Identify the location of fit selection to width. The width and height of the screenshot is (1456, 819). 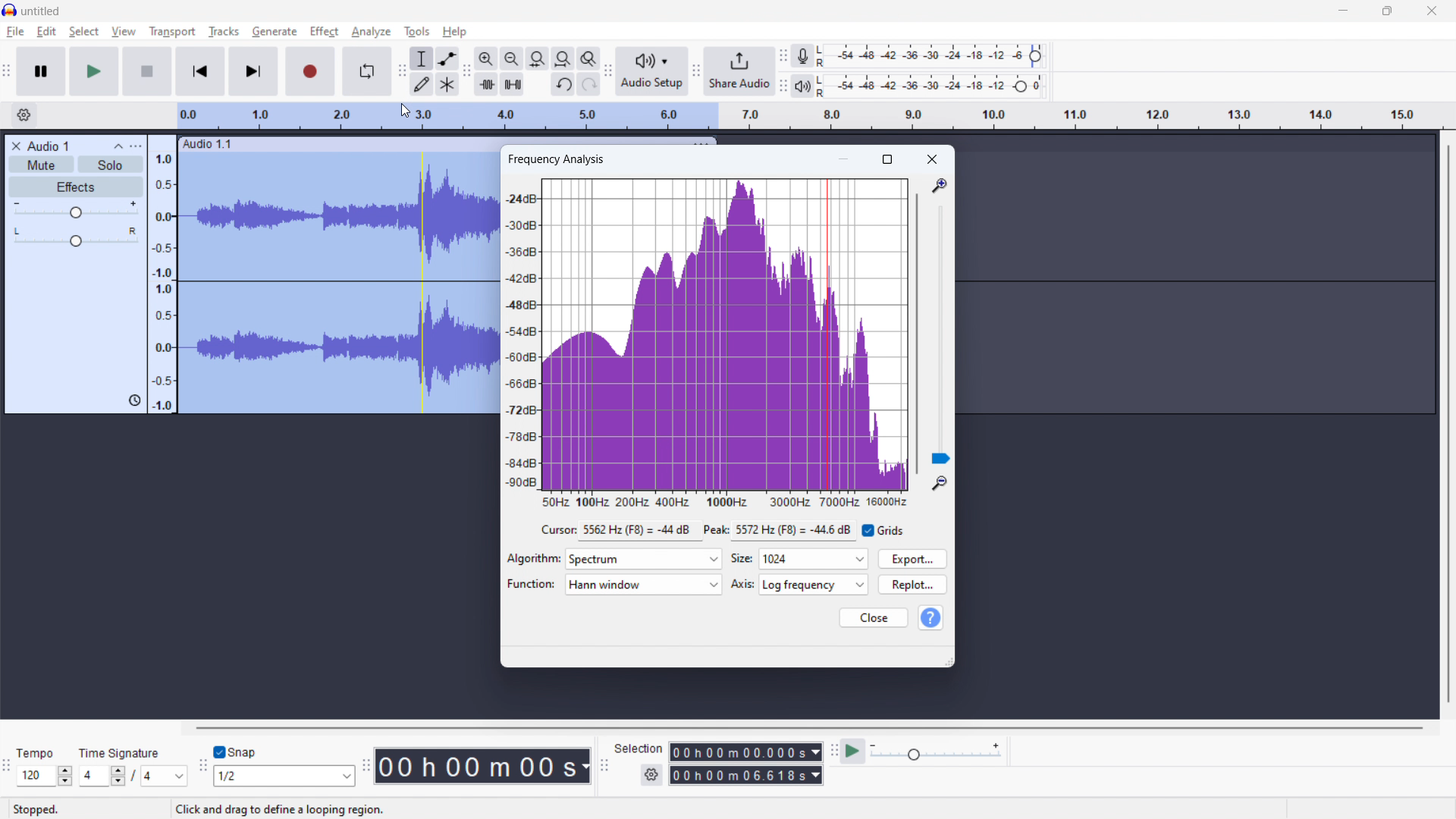
(538, 58).